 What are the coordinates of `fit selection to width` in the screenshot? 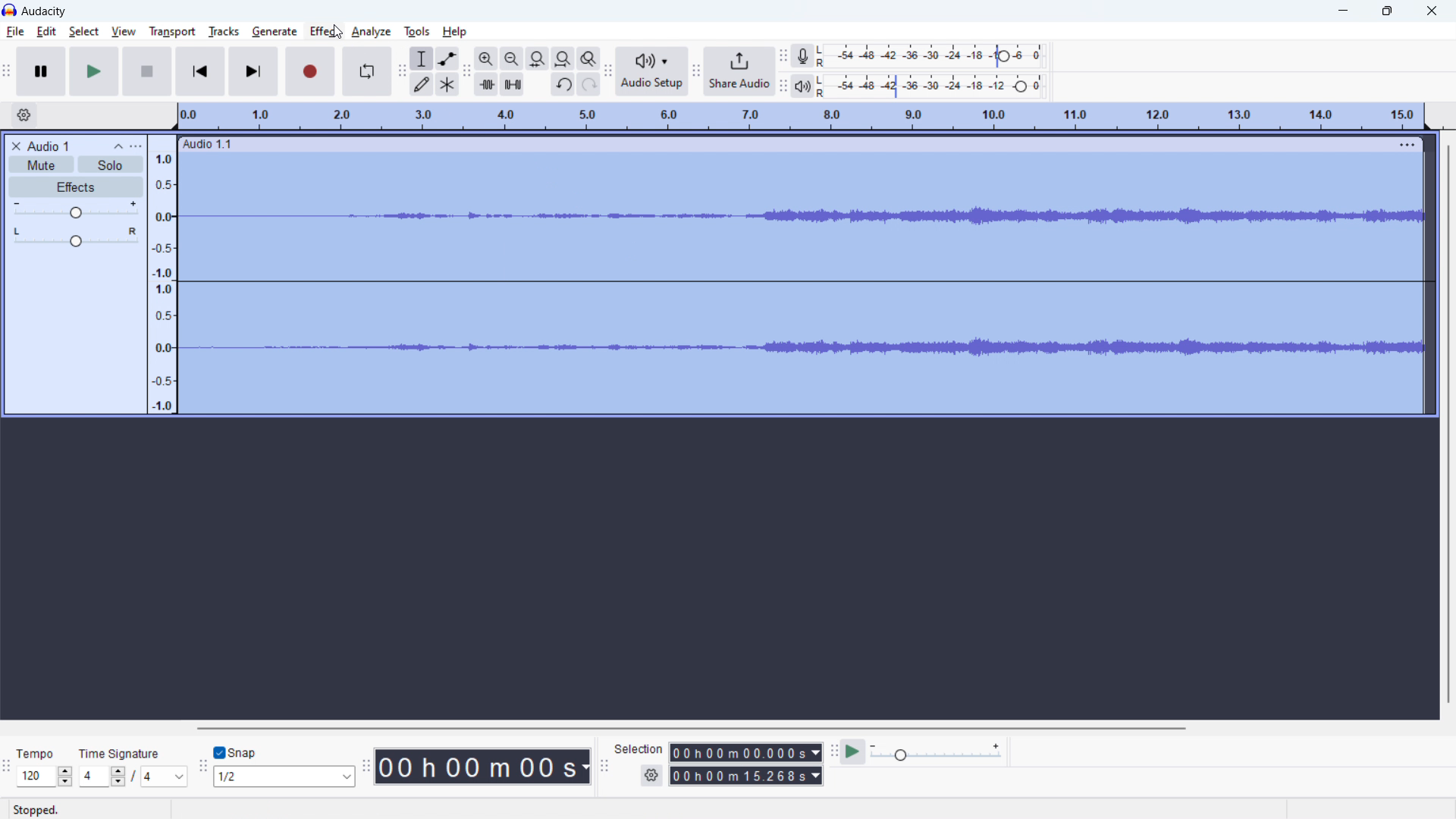 It's located at (537, 58).